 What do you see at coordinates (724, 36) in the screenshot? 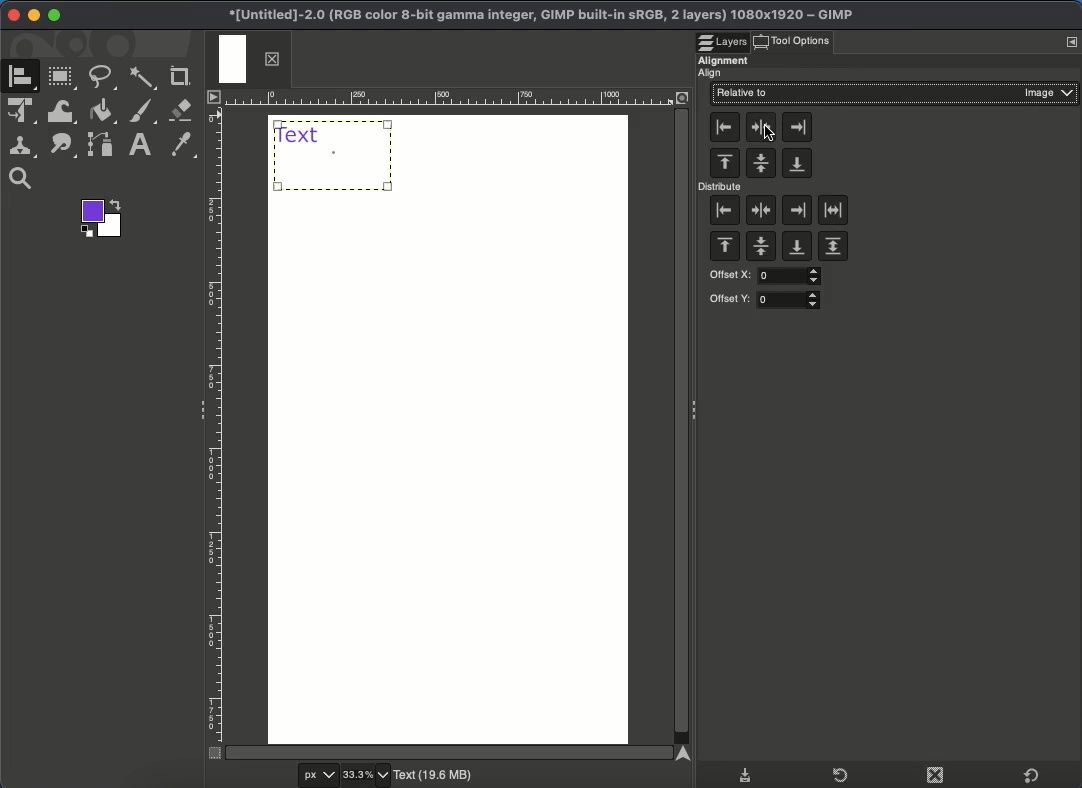
I see `Layers` at bounding box center [724, 36].